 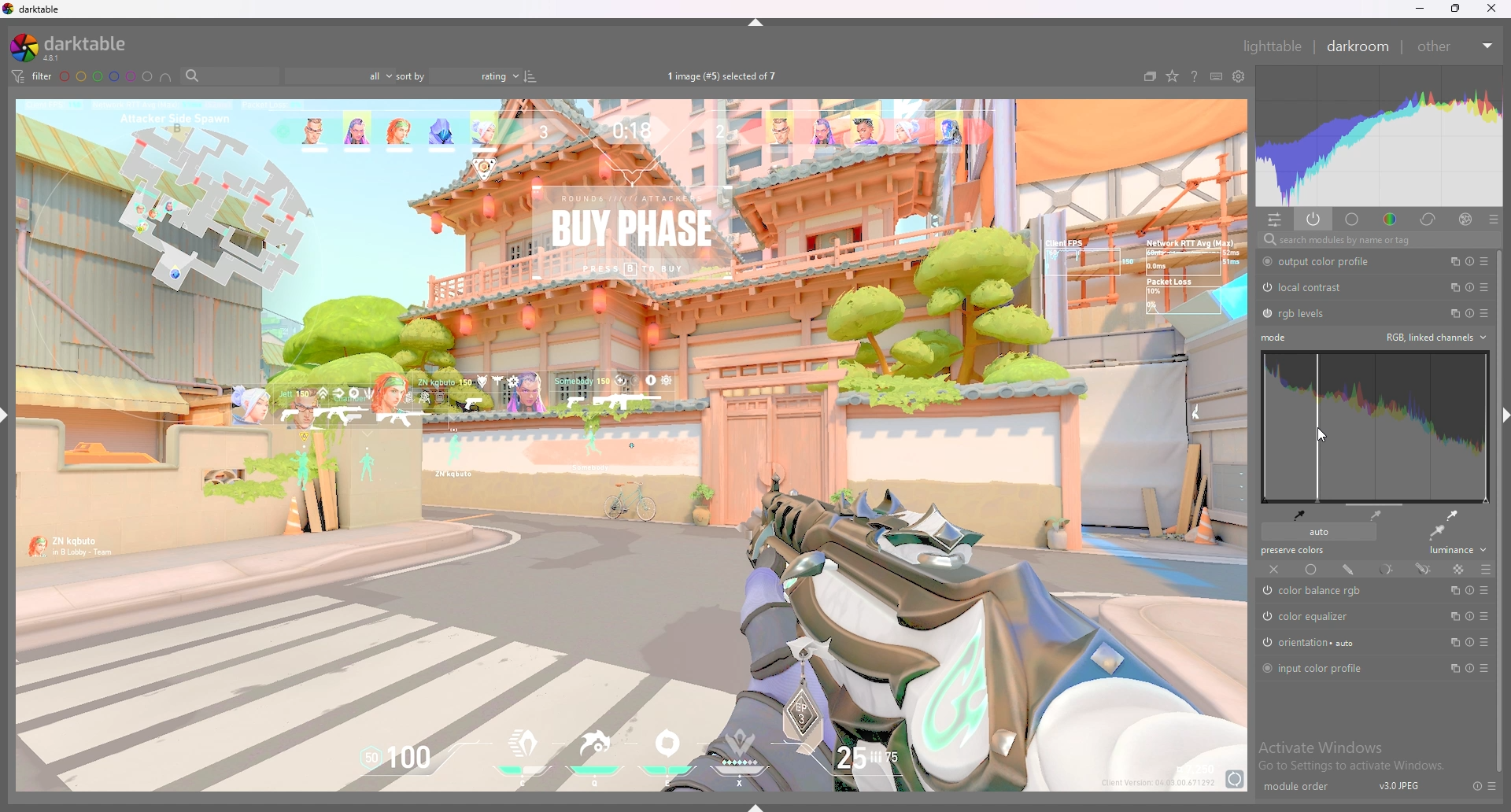 What do you see at coordinates (1420, 9) in the screenshot?
I see `minimize` at bounding box center [1420, 9].